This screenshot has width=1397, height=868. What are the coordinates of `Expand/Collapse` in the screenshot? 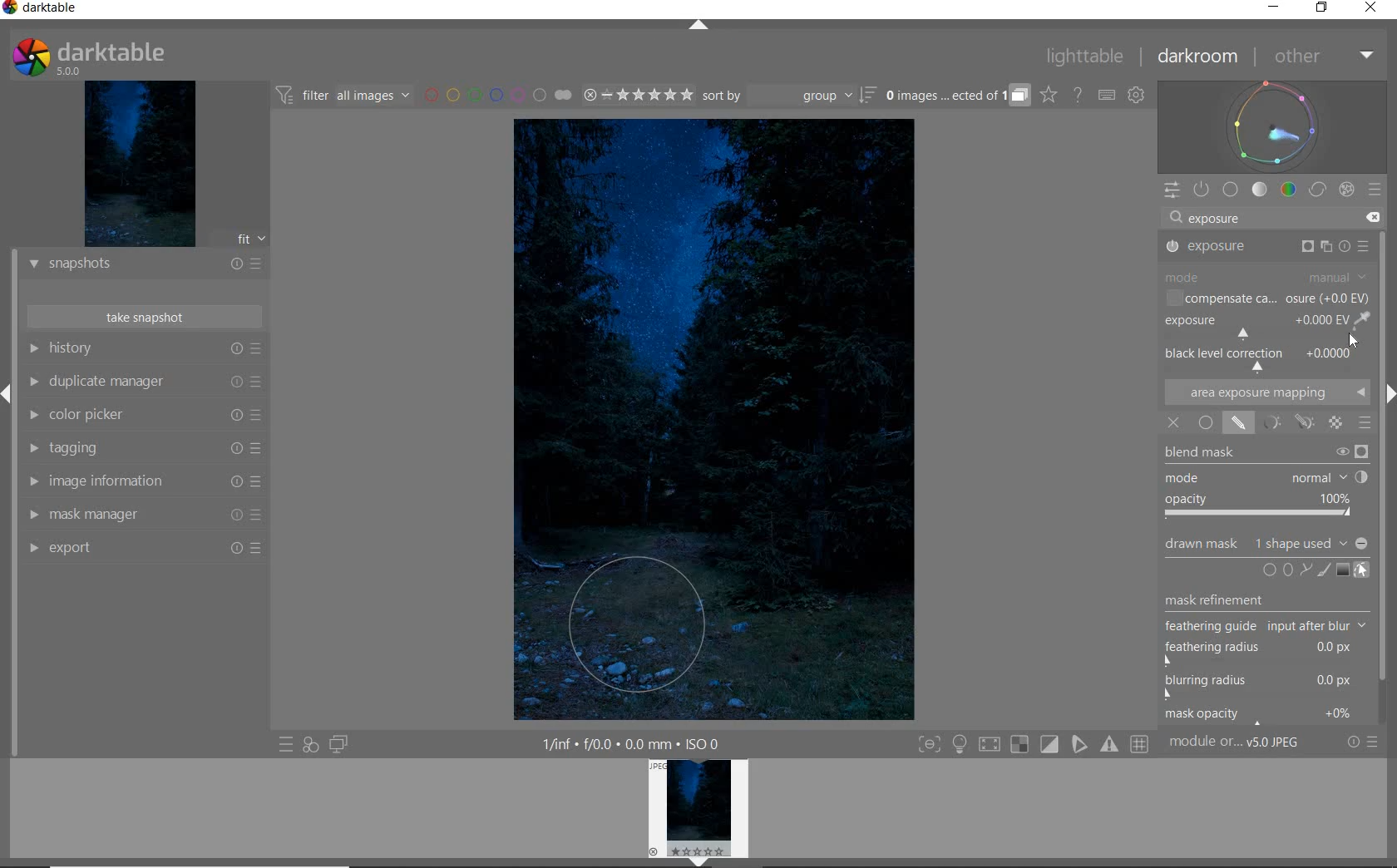 It's located at (8, 392).